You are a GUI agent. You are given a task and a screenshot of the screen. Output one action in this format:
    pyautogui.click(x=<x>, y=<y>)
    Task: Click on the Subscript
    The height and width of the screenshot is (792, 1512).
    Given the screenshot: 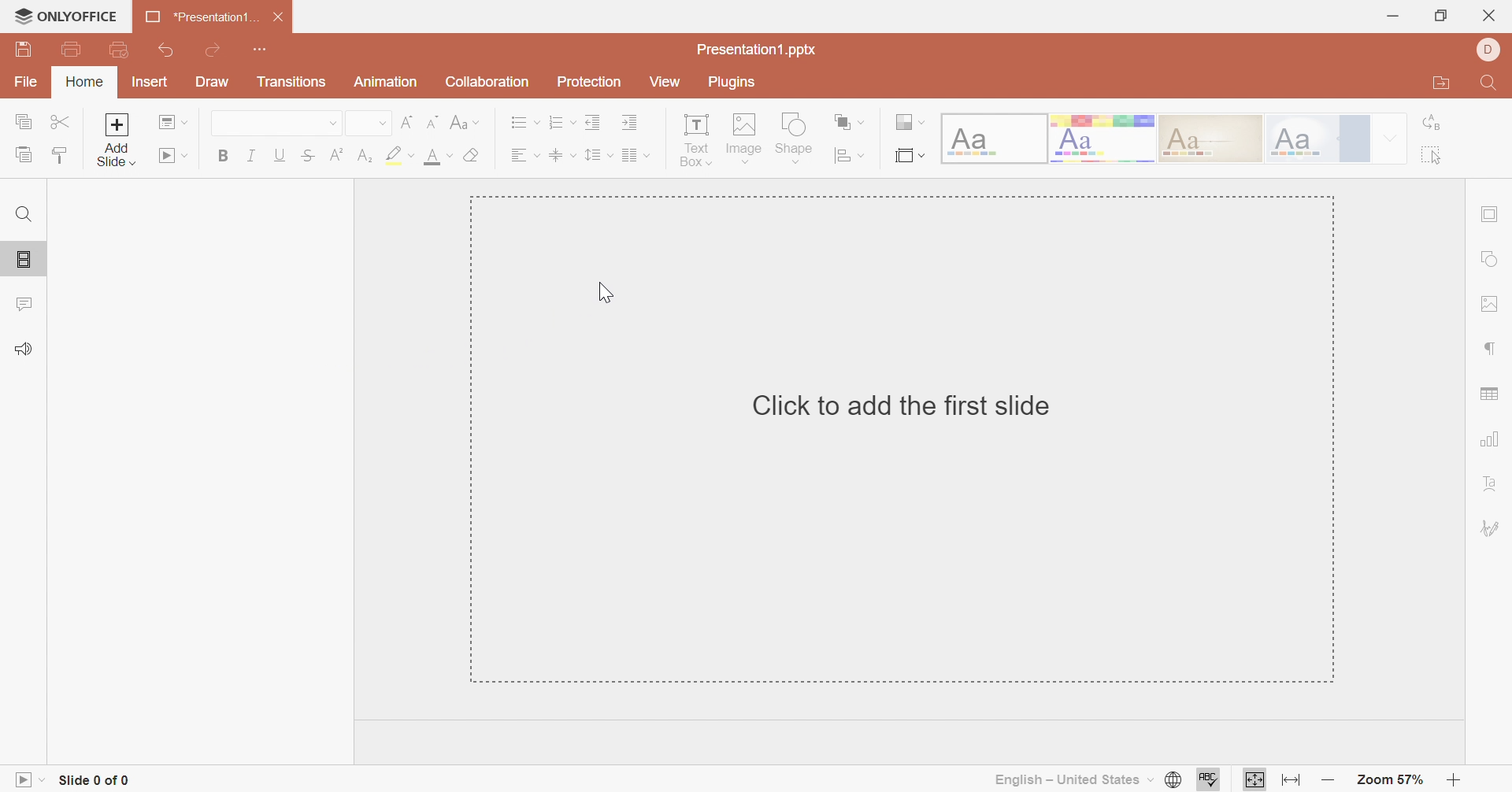 What is the action you would take?
    pyautogui.click(x=366, y=155)
    